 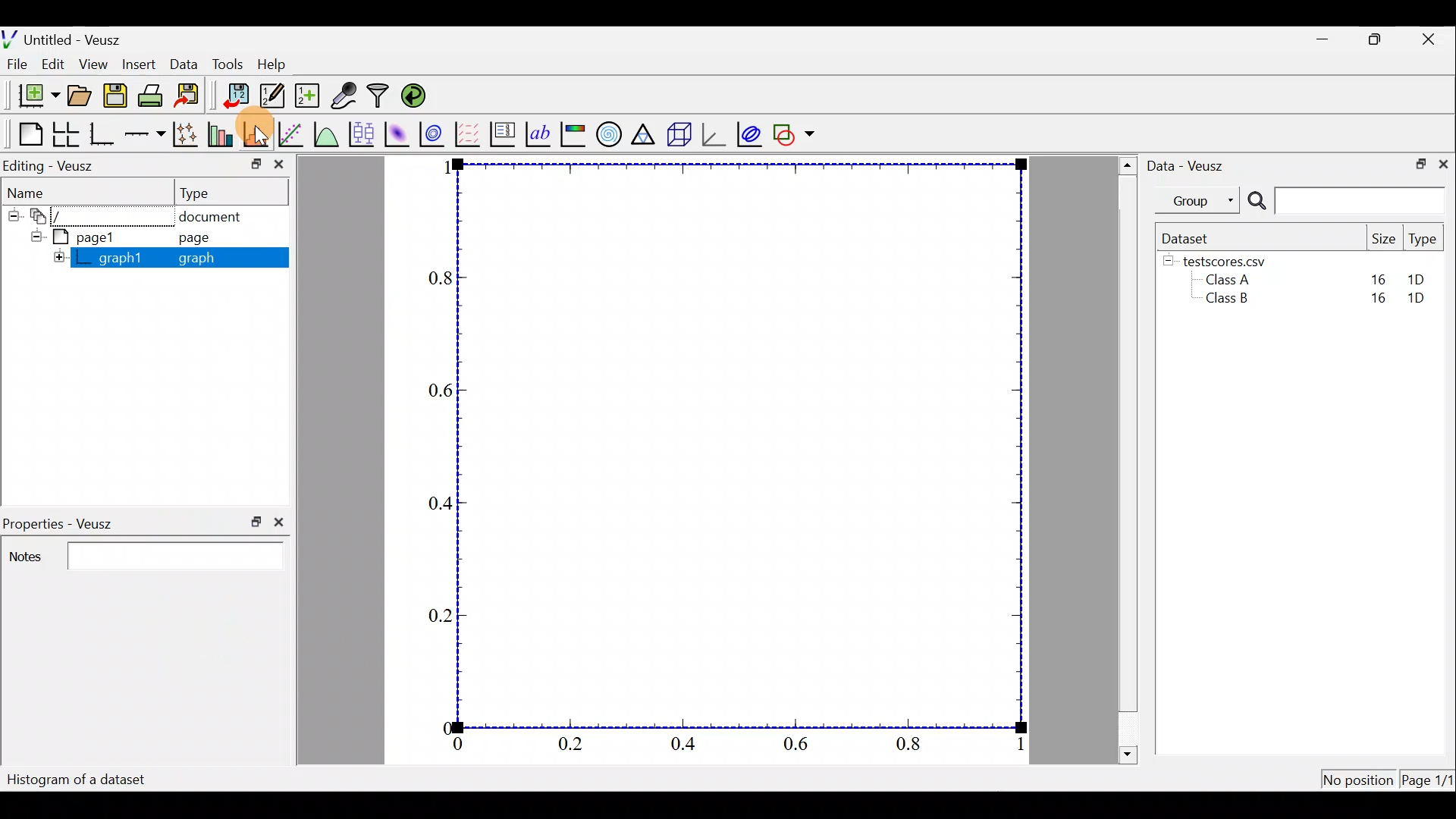 What do you see at coordinates (436, 613) in the screenshot?
I see `0.2` at bounding box center [436, 613].